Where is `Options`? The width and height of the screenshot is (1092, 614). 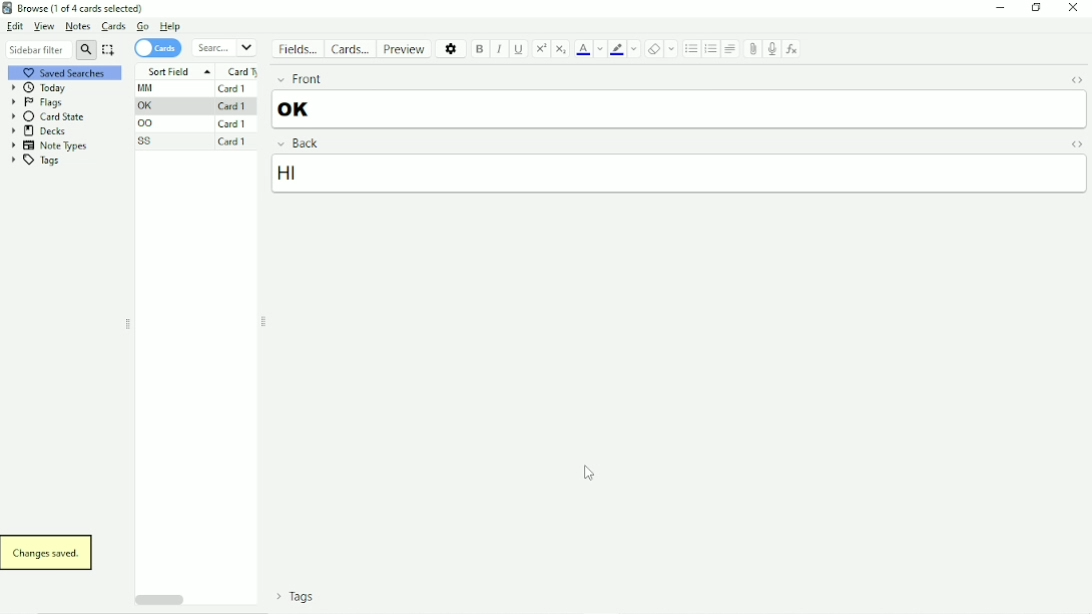 Options is located at coordinates (452, 48).